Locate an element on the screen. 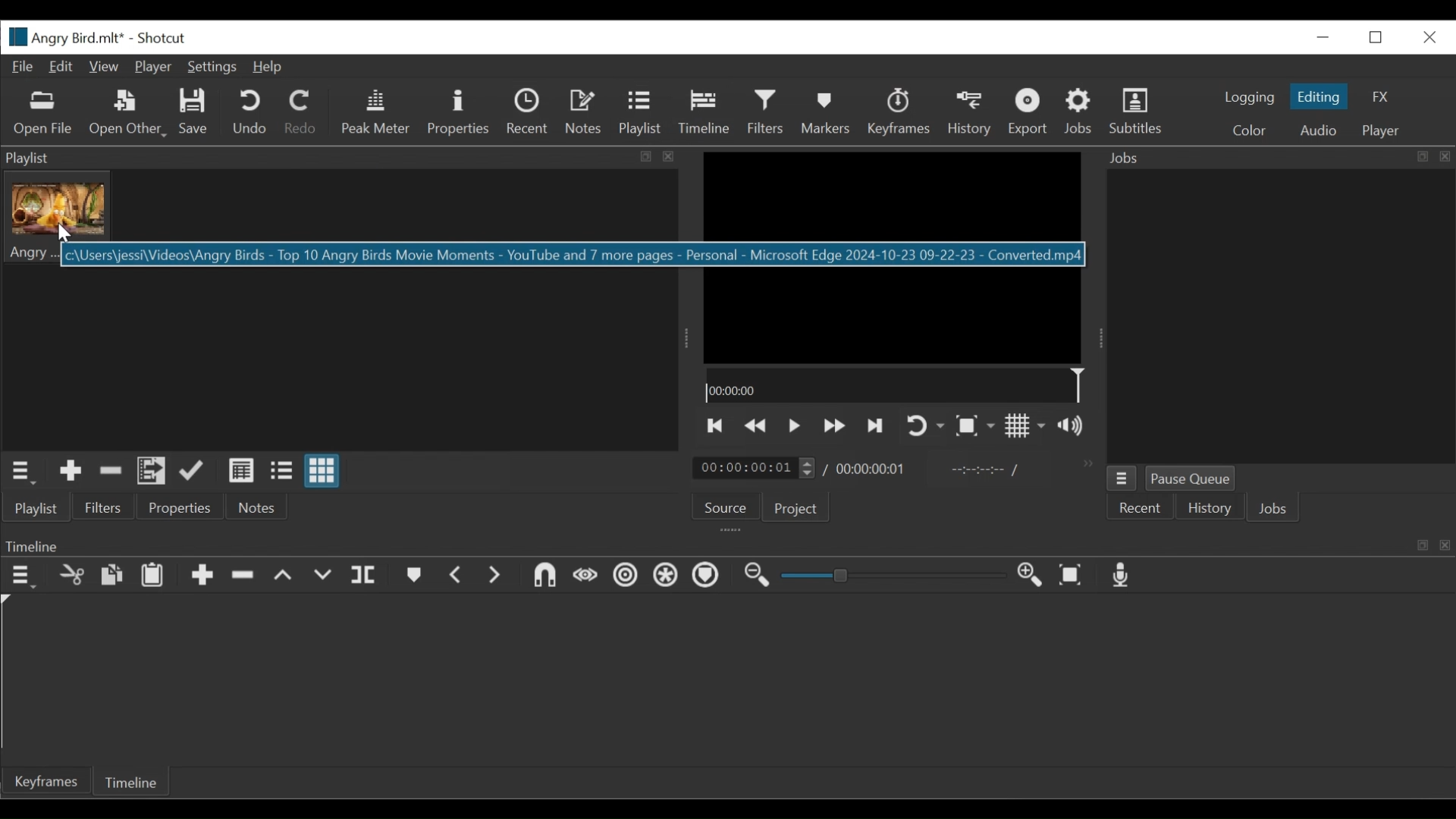 This screenshot has width=1456, height=819. Toggle player on looping is located at coordinates (927, 426).